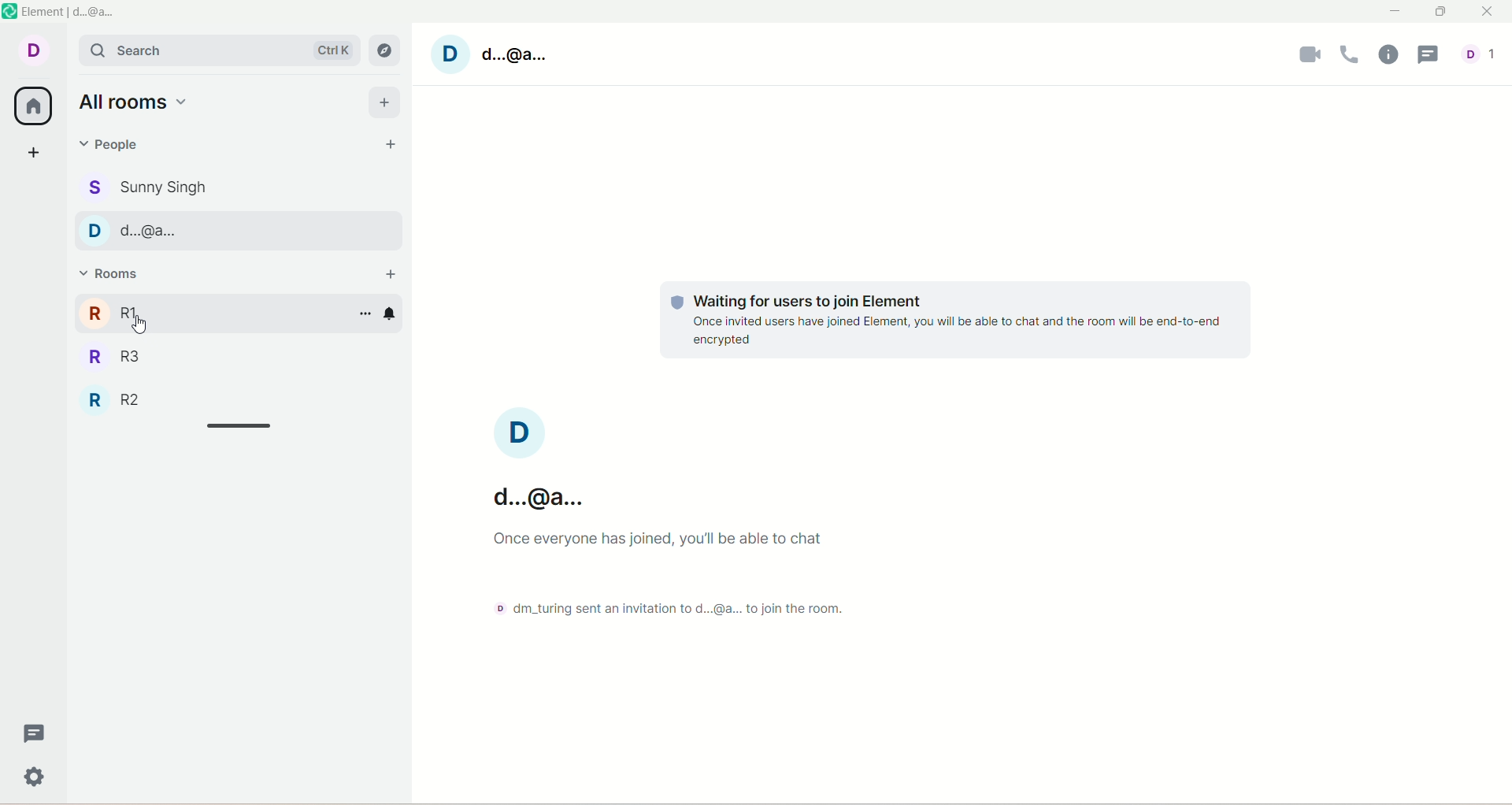 This screenshot has width=1512, height=805. I want to click on options, so click(365, 314).